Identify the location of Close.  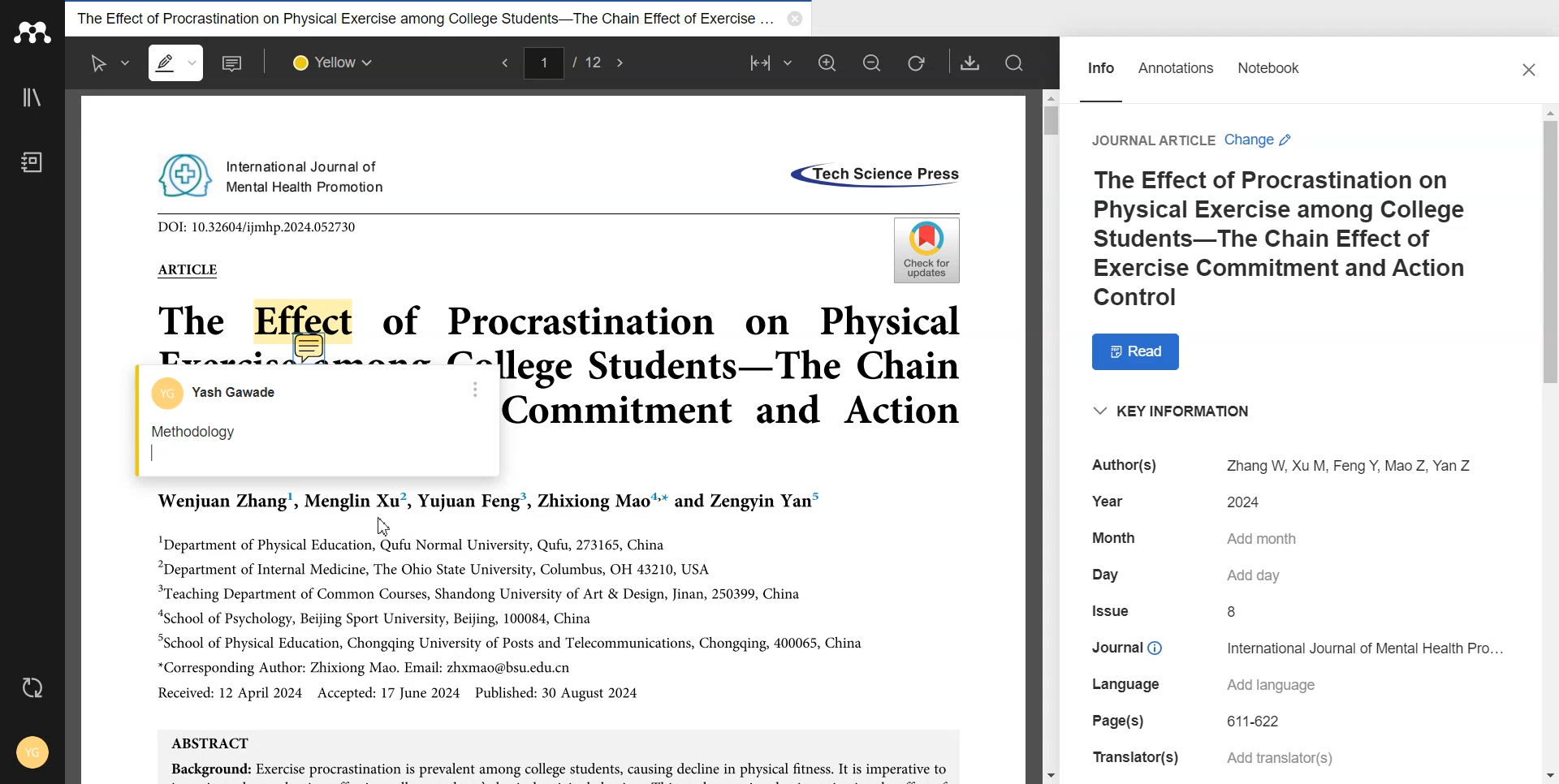
(792, 19).